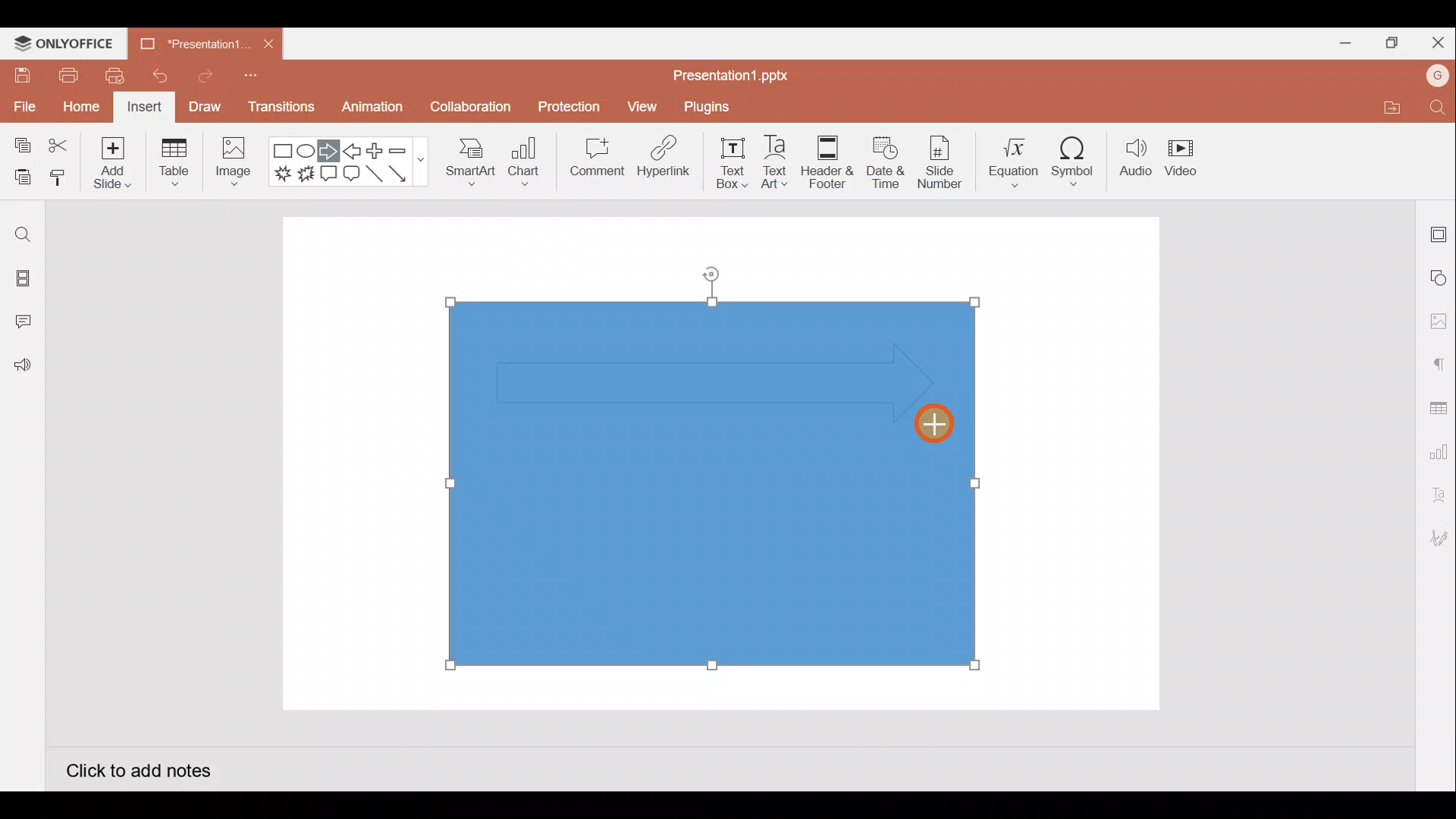 The image size is (1456, 819). I want to click on Insert, so click(145, 108).